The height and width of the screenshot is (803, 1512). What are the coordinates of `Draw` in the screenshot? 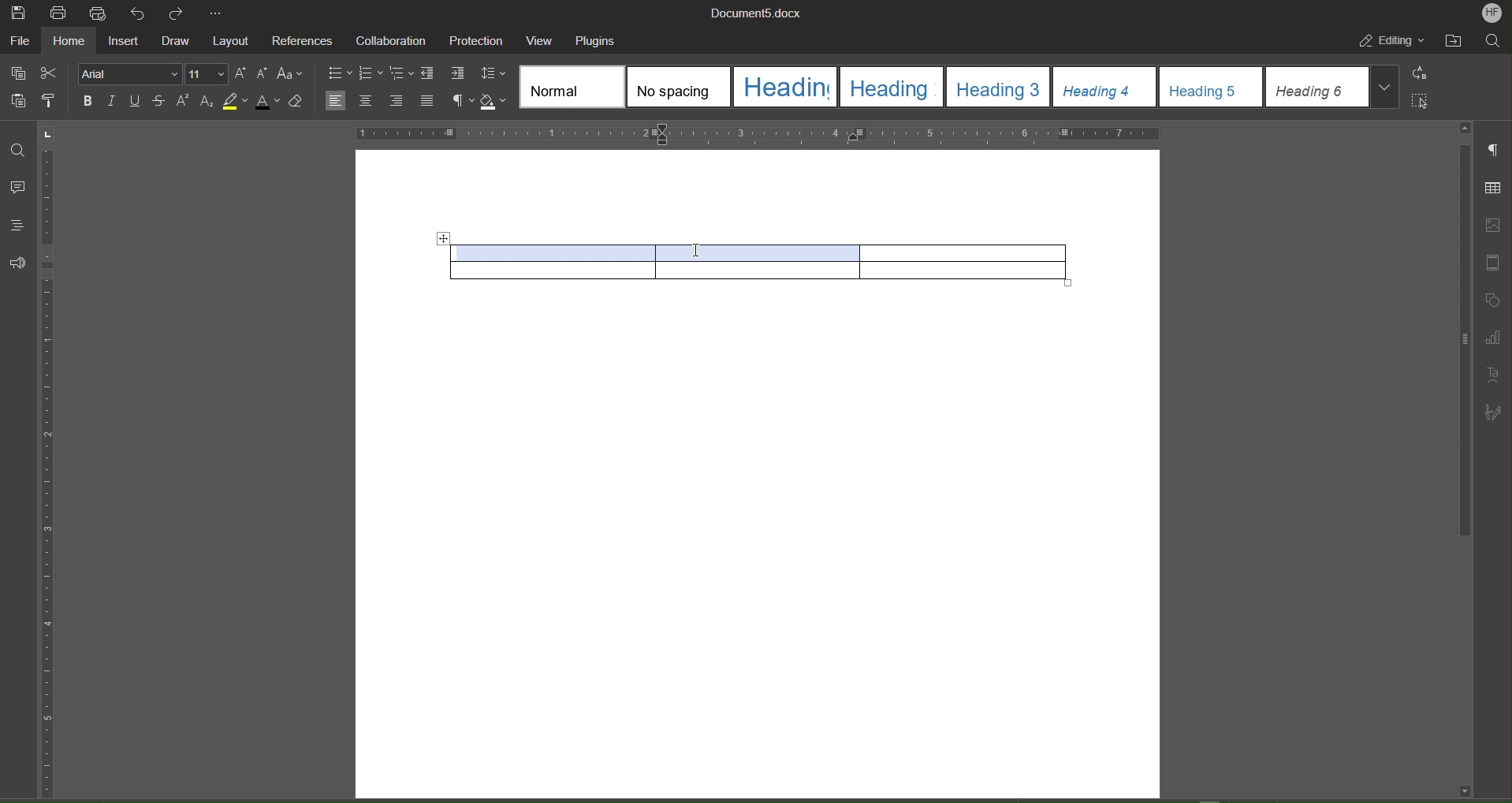 It's located at (180, 43).